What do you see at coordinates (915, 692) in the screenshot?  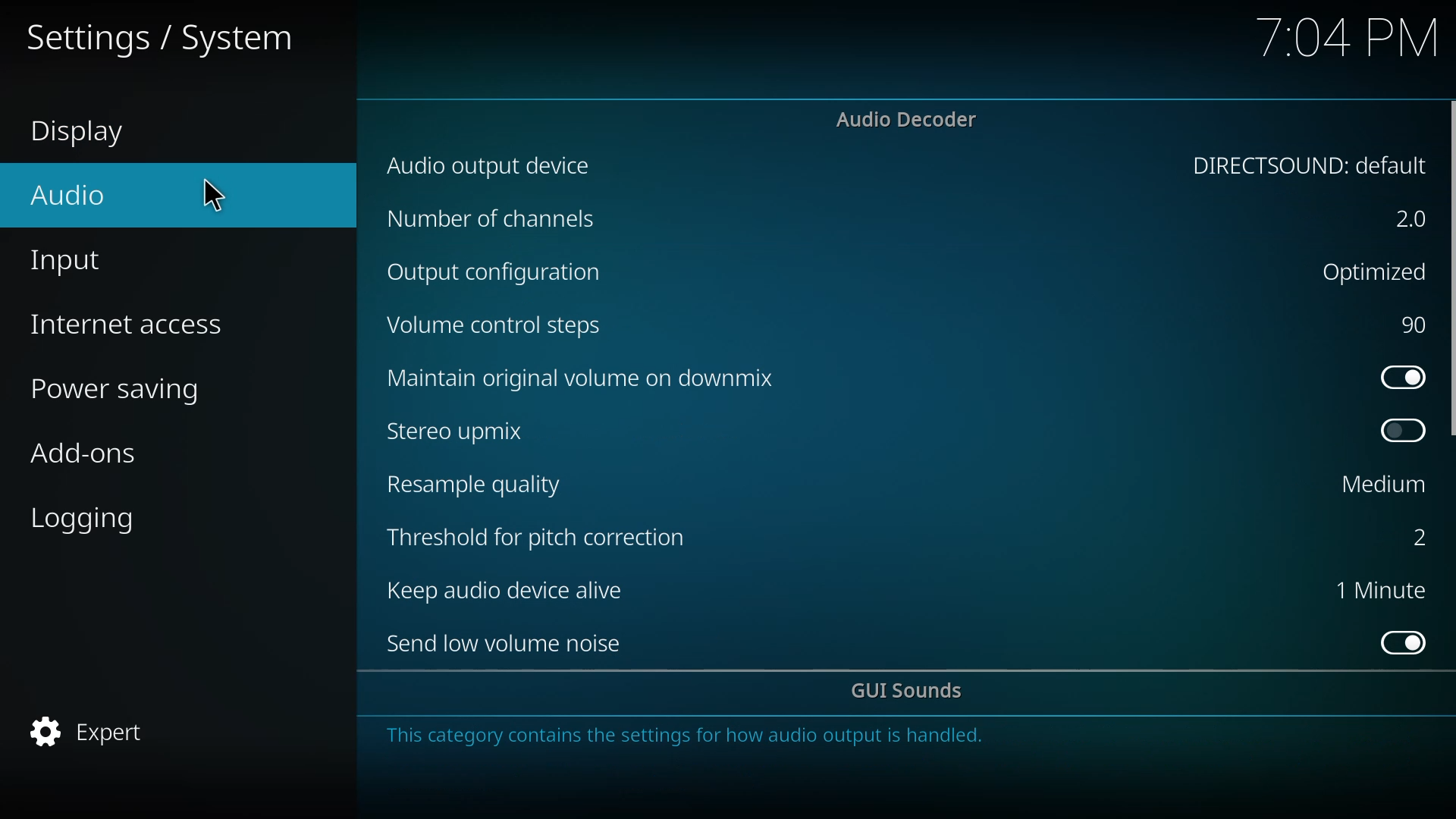 I see `gui sounds` at bounding box center [915, 692].